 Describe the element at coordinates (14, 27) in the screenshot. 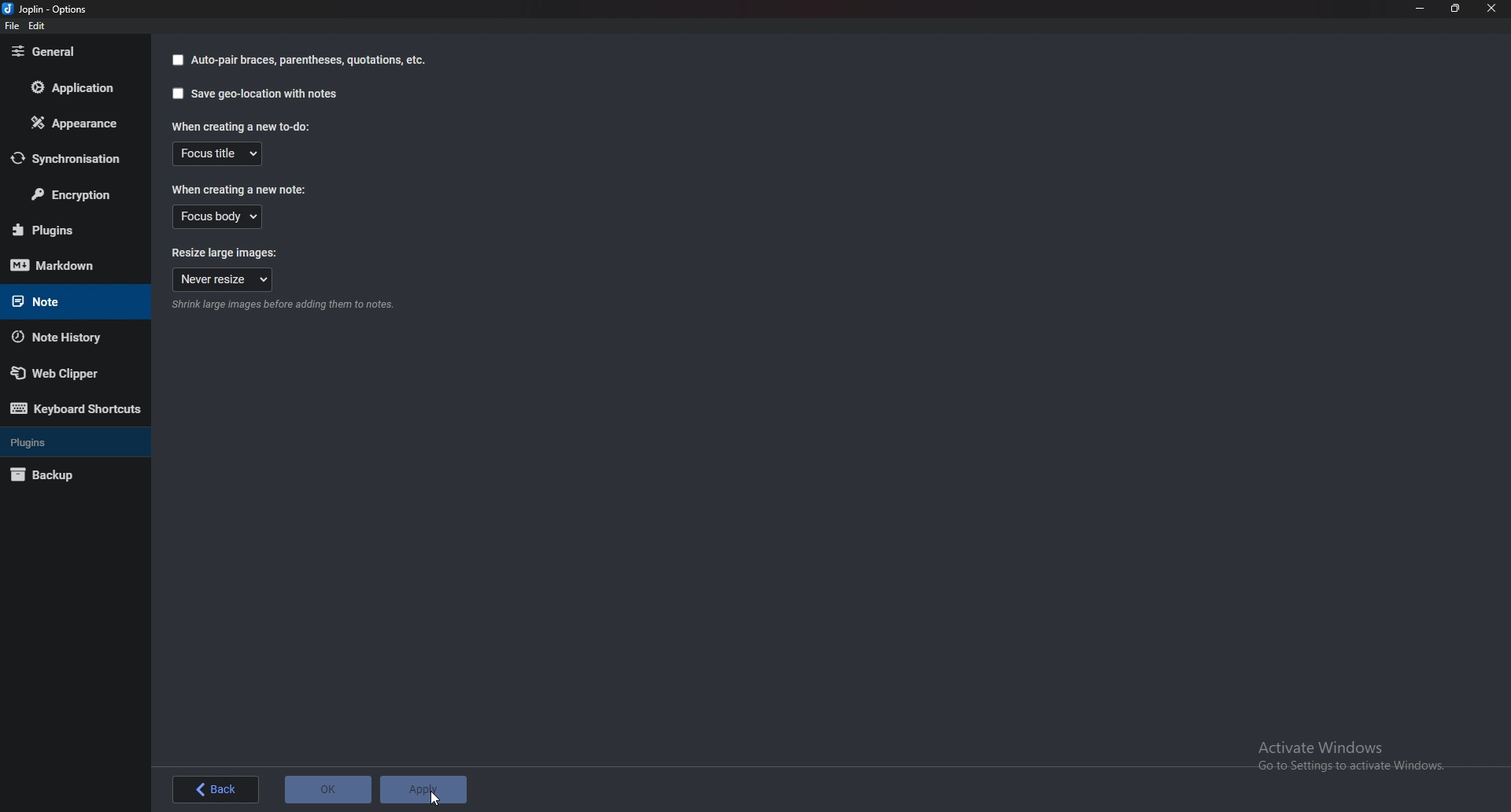

I see `File` at that location.